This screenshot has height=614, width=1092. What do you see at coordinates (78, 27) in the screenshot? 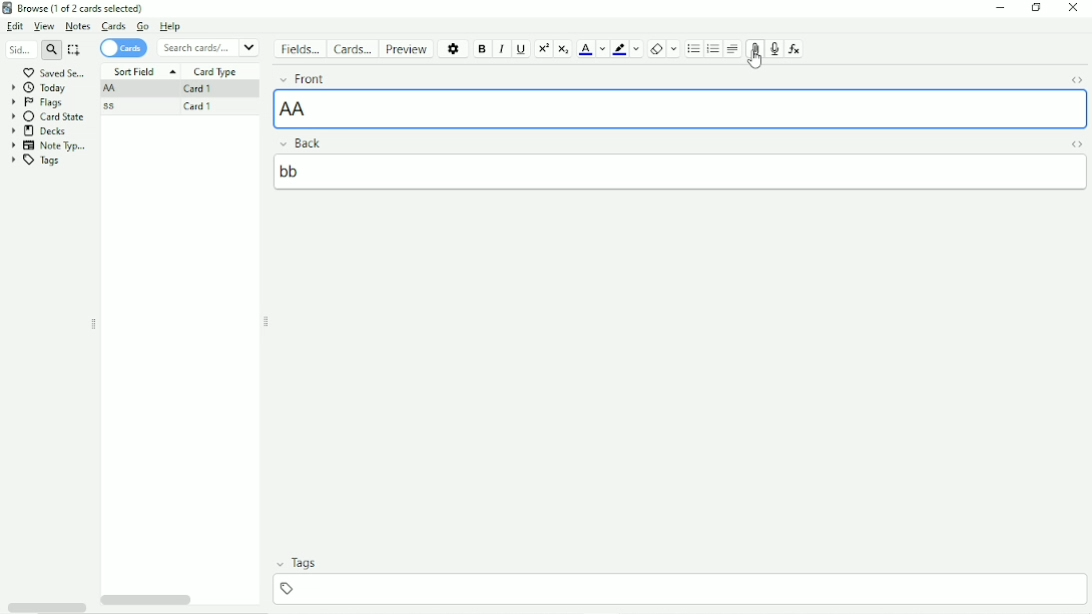
I see `Notes` at bounding box center [78, 27].